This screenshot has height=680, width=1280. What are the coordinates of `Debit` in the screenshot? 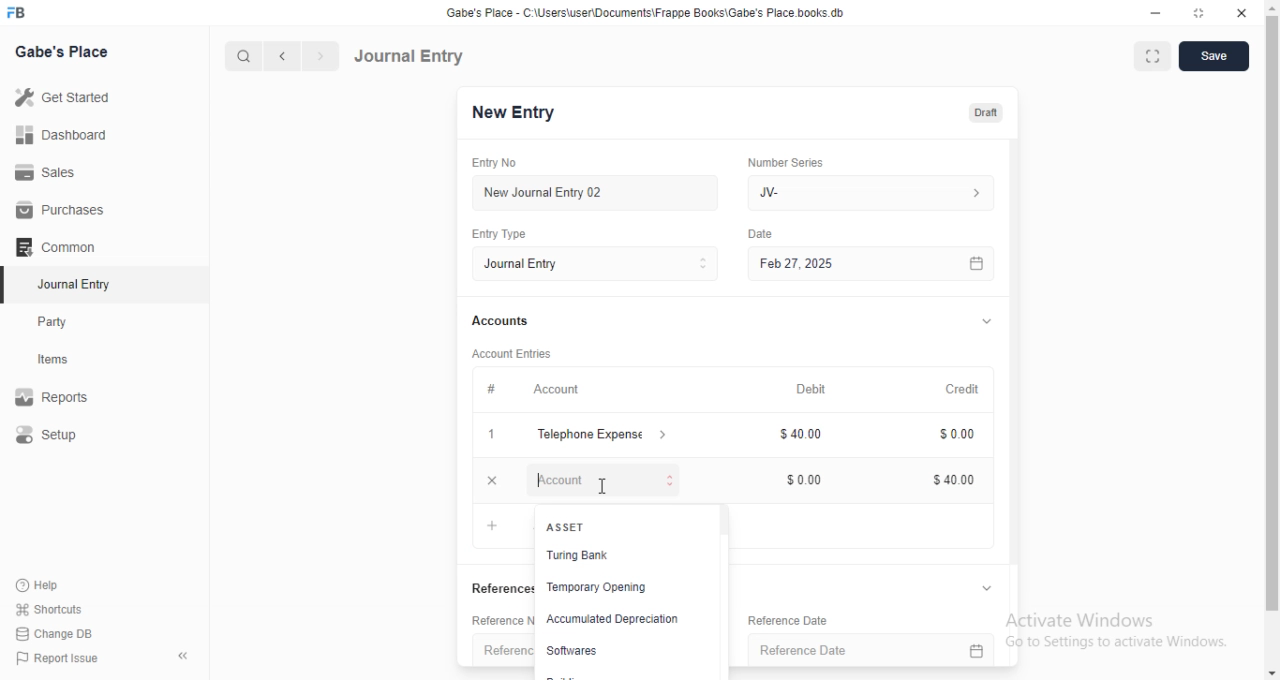 It's located at (819, 390).